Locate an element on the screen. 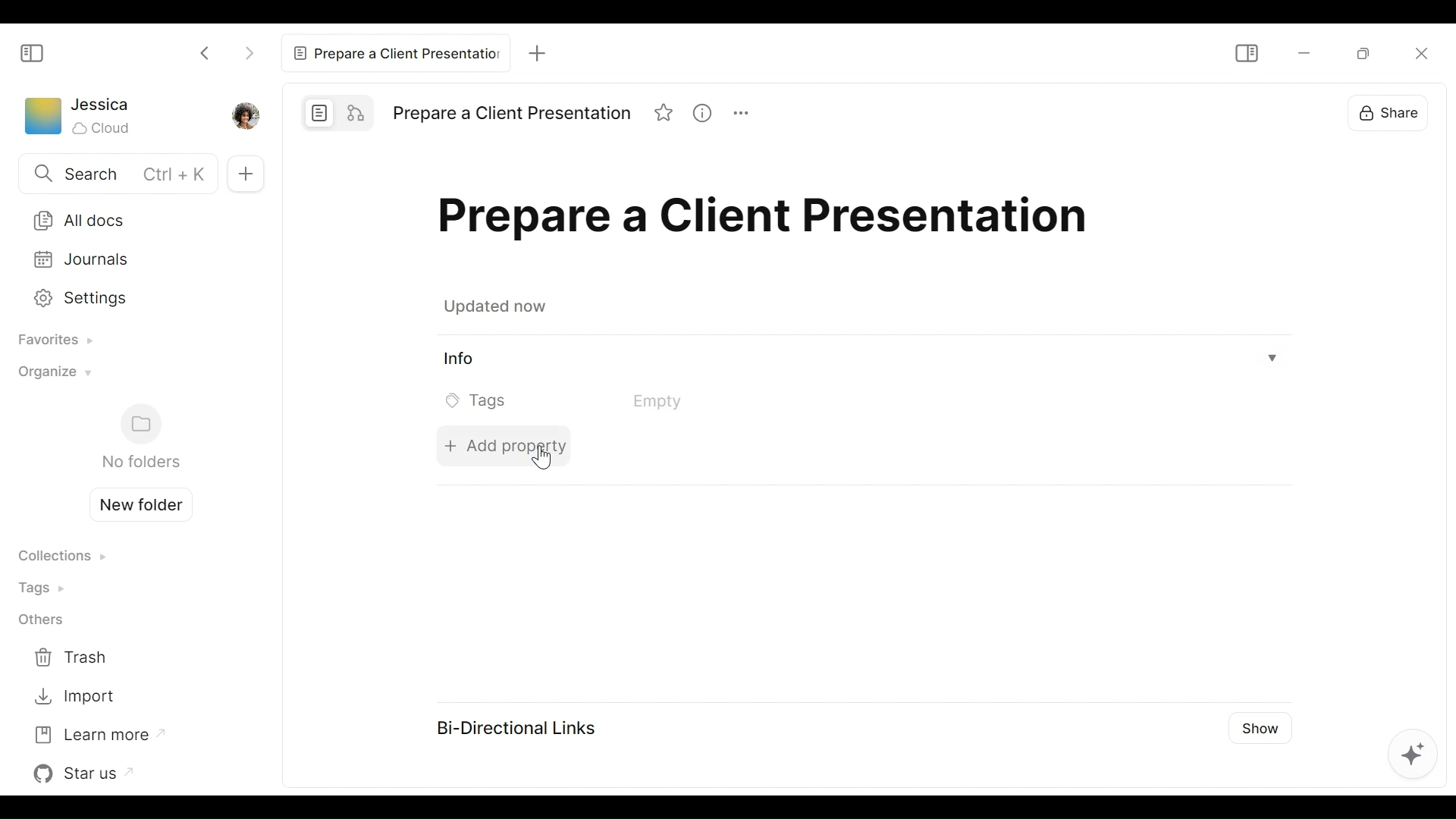 This screenshot has height=819, width=1456. View Information is located at coordinates (708, 115).